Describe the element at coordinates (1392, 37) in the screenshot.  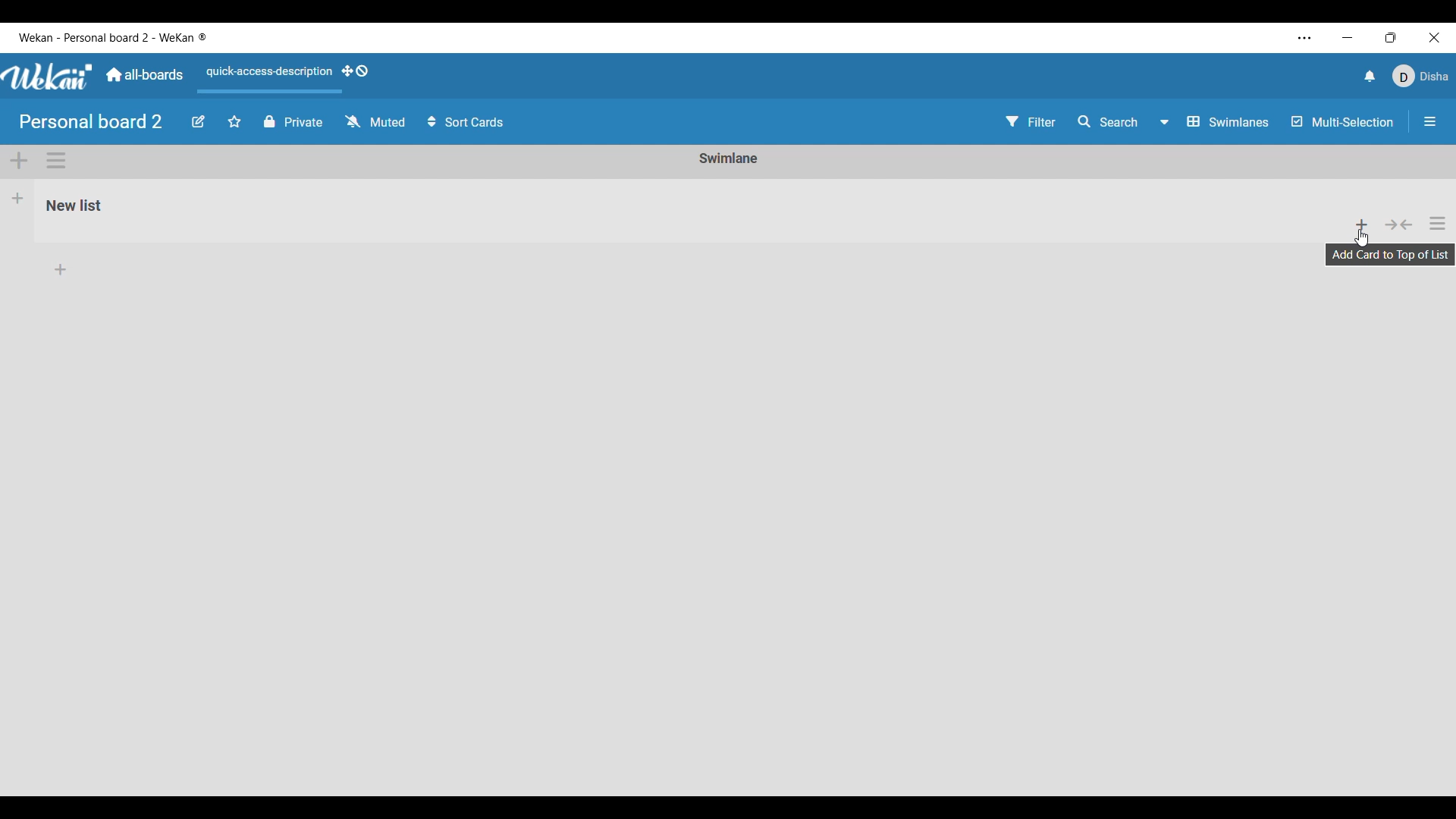
I see `Show interface in a smaller tab ` at that location.